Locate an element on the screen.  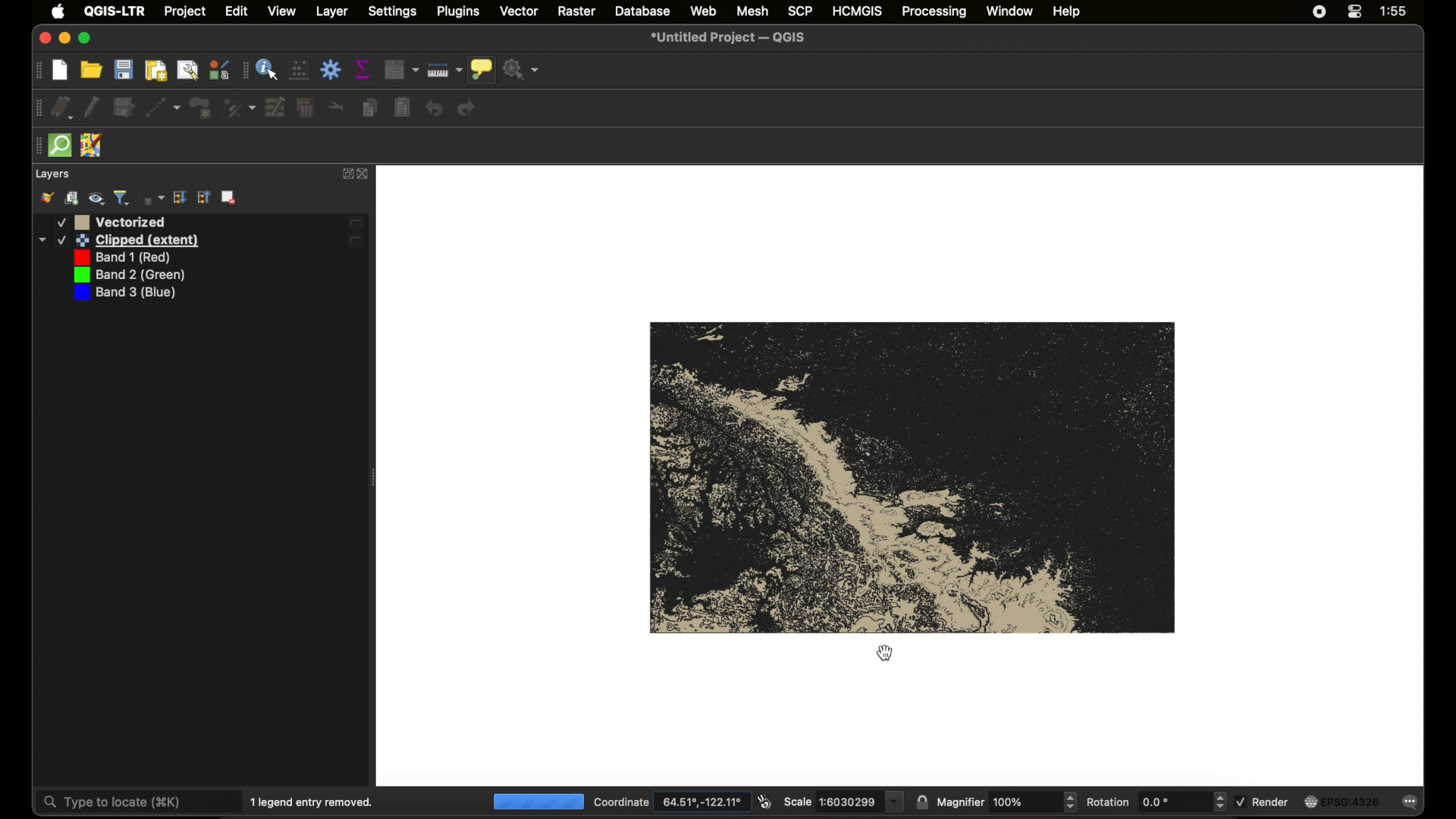
vector is located at coordinates (520, 11).